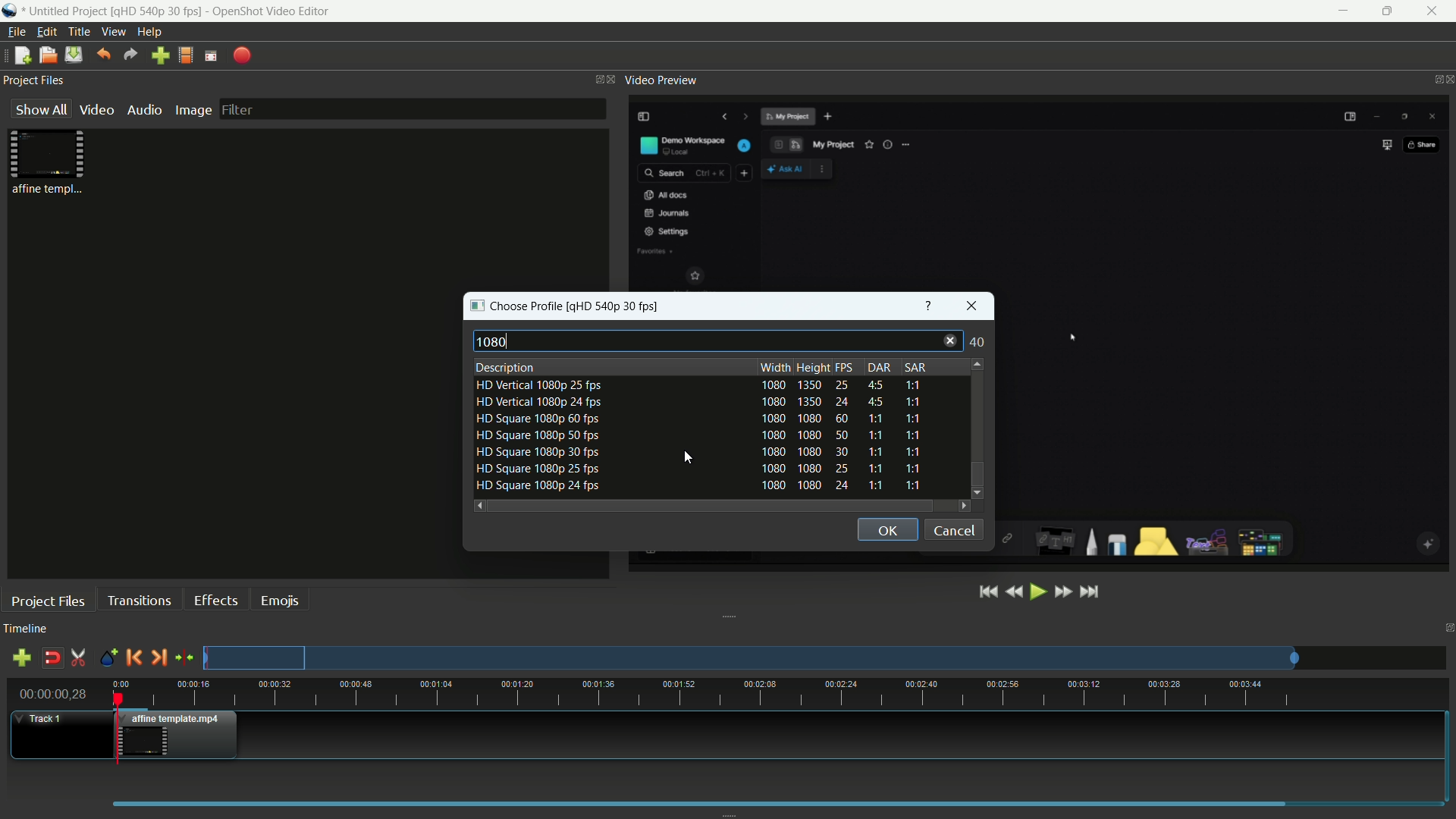 The image size is (1456, 819). Describe the element at coordinates (495, 342) in the screenshot. I see `1080` at that location.